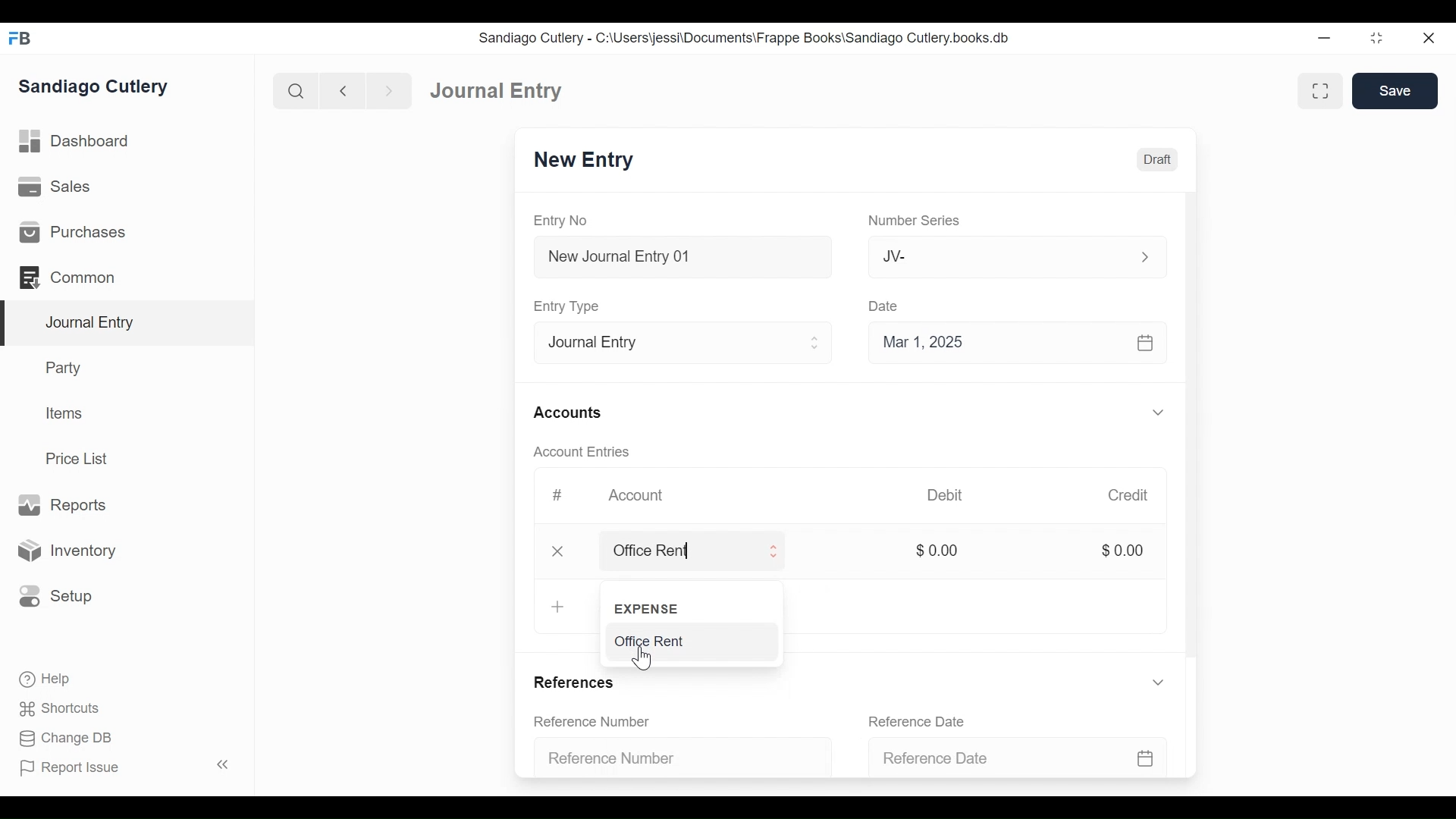 This screenshot has height=819, width=1456. Describe the element at coordinates (1128, 495) in the screenshot. I see `Credit` at that location.